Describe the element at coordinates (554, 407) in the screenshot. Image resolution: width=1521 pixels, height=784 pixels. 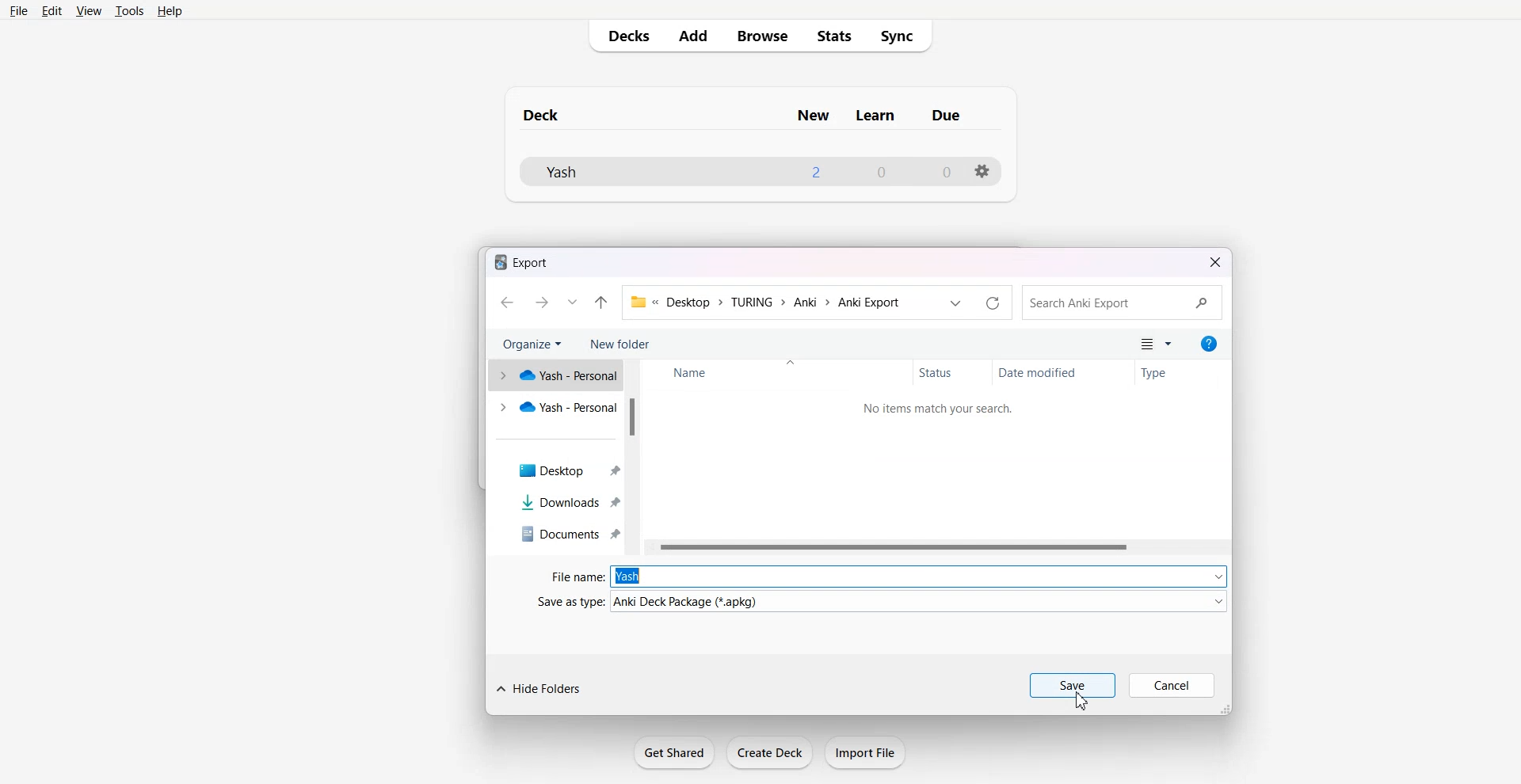
I see `One Drive` at that location.